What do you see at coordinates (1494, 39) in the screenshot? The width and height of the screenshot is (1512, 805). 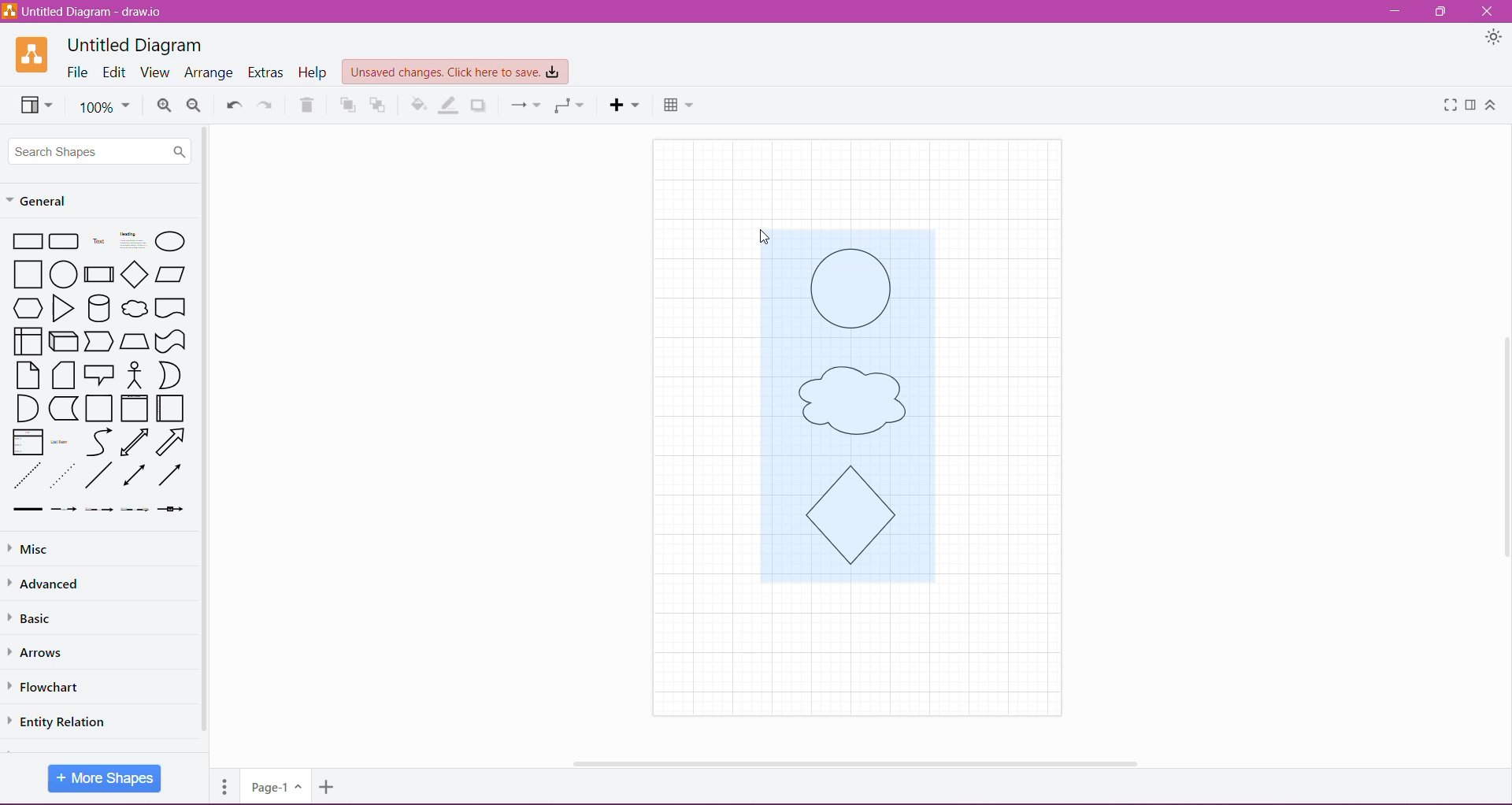 I see `Appearance` at bounding box center [1494, 39].